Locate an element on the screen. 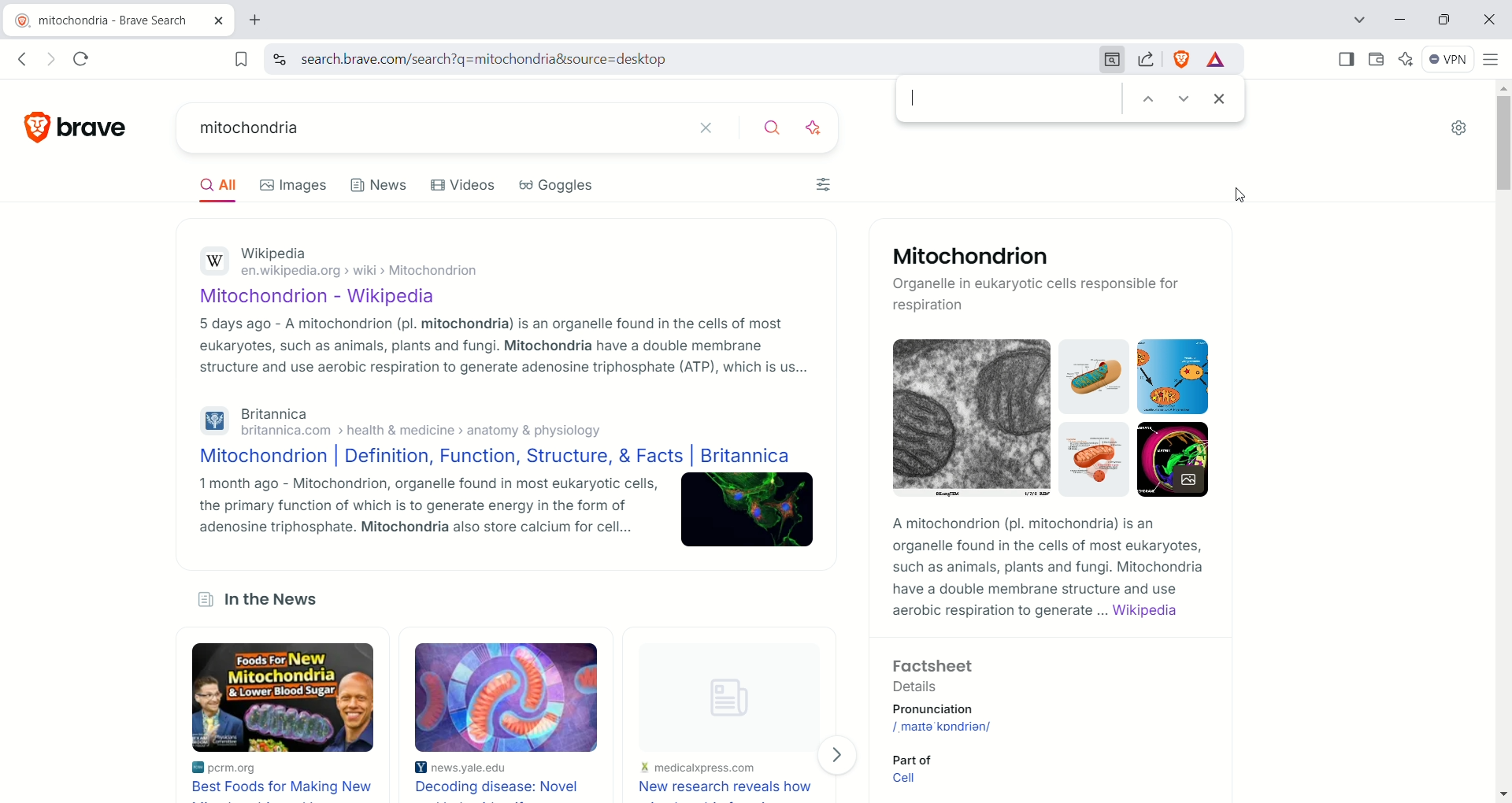 The image size is (1512, 803). click to go back,  hold to see history is located at coordinates (22, 59).